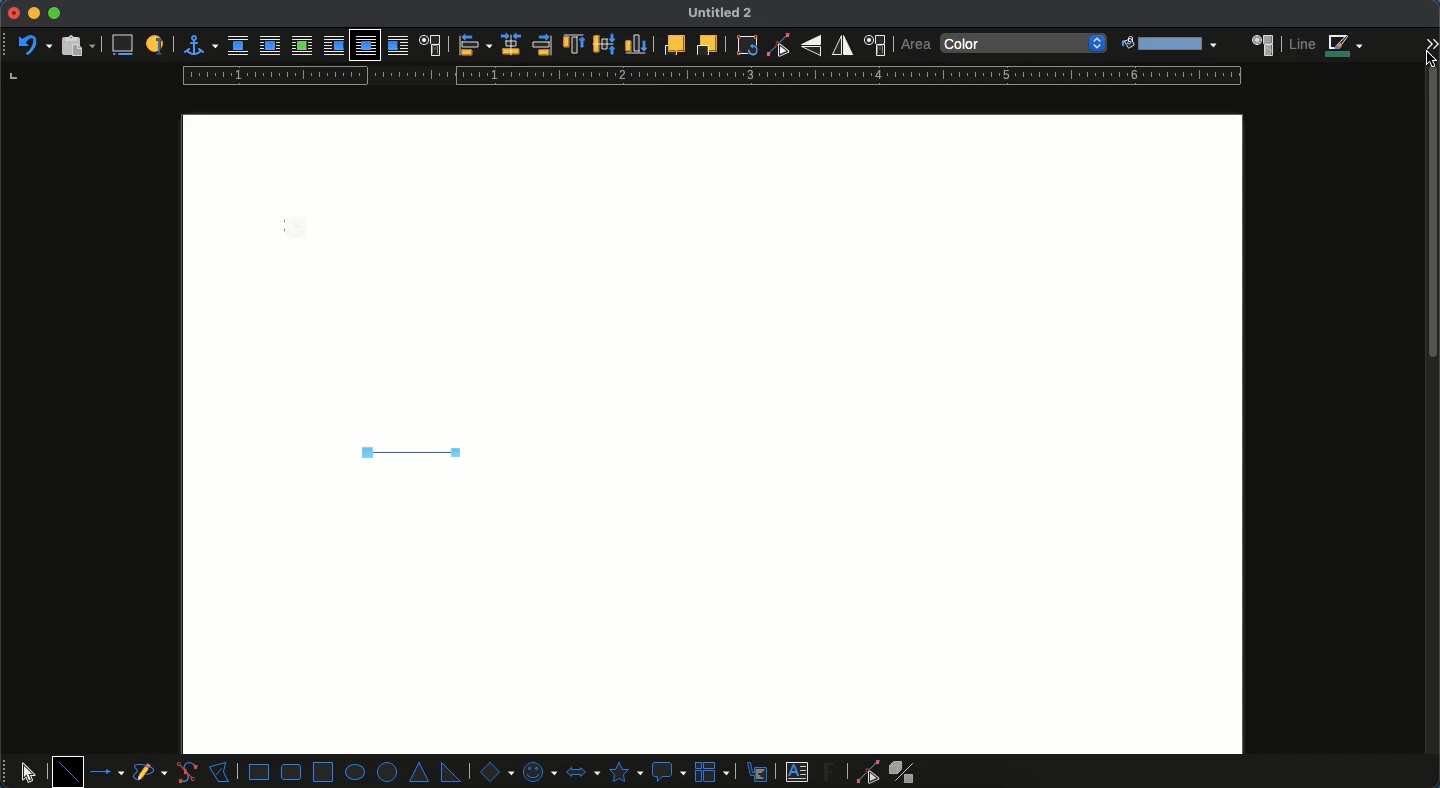 The height and width of the screenshot is (788, 1440). What do you see at coordinates (832, 771) in the screenshot?
I see `footwork text` at bounding box center [832, 771].